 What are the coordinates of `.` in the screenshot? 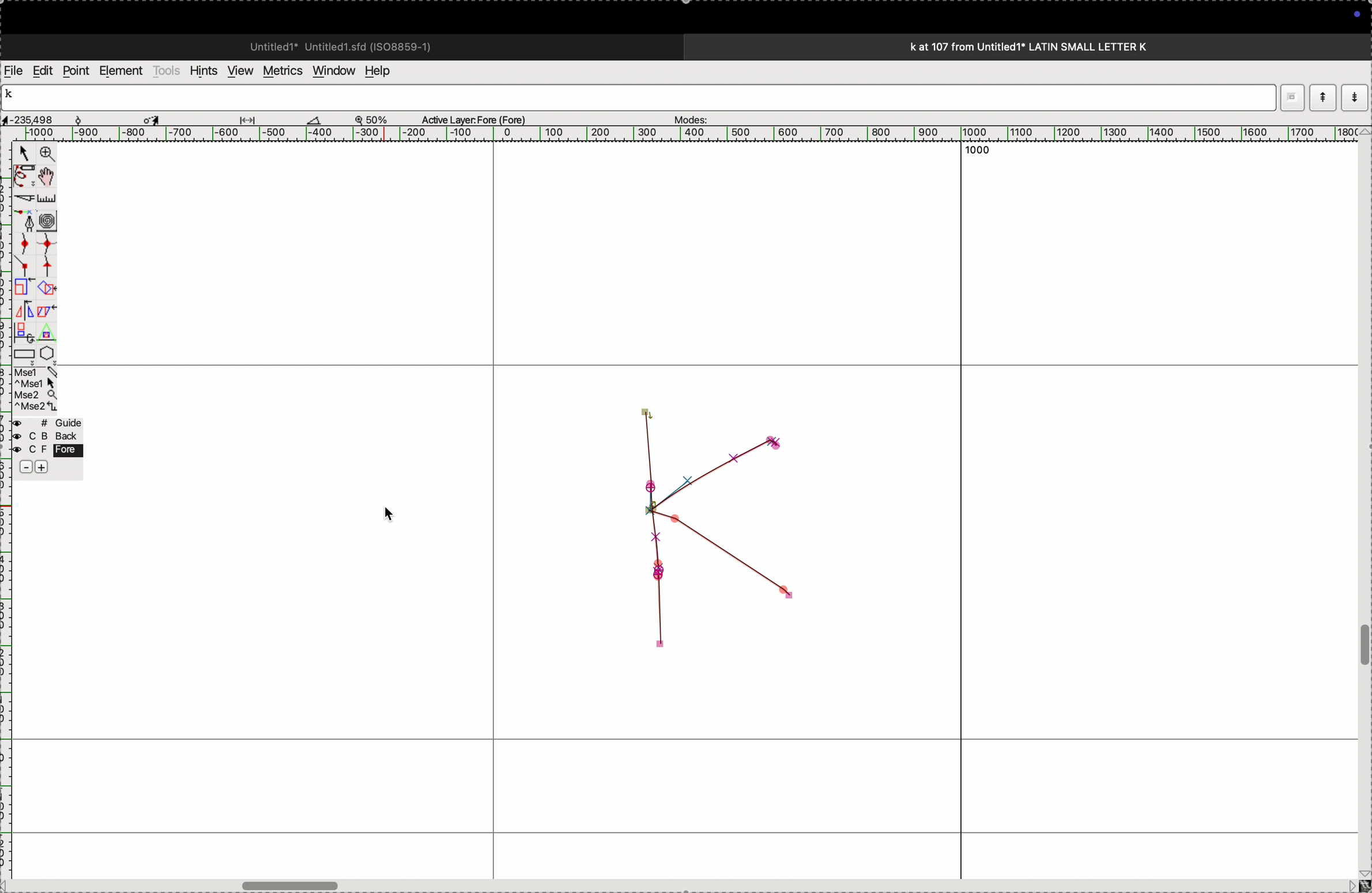 It's located at (1353, 97).